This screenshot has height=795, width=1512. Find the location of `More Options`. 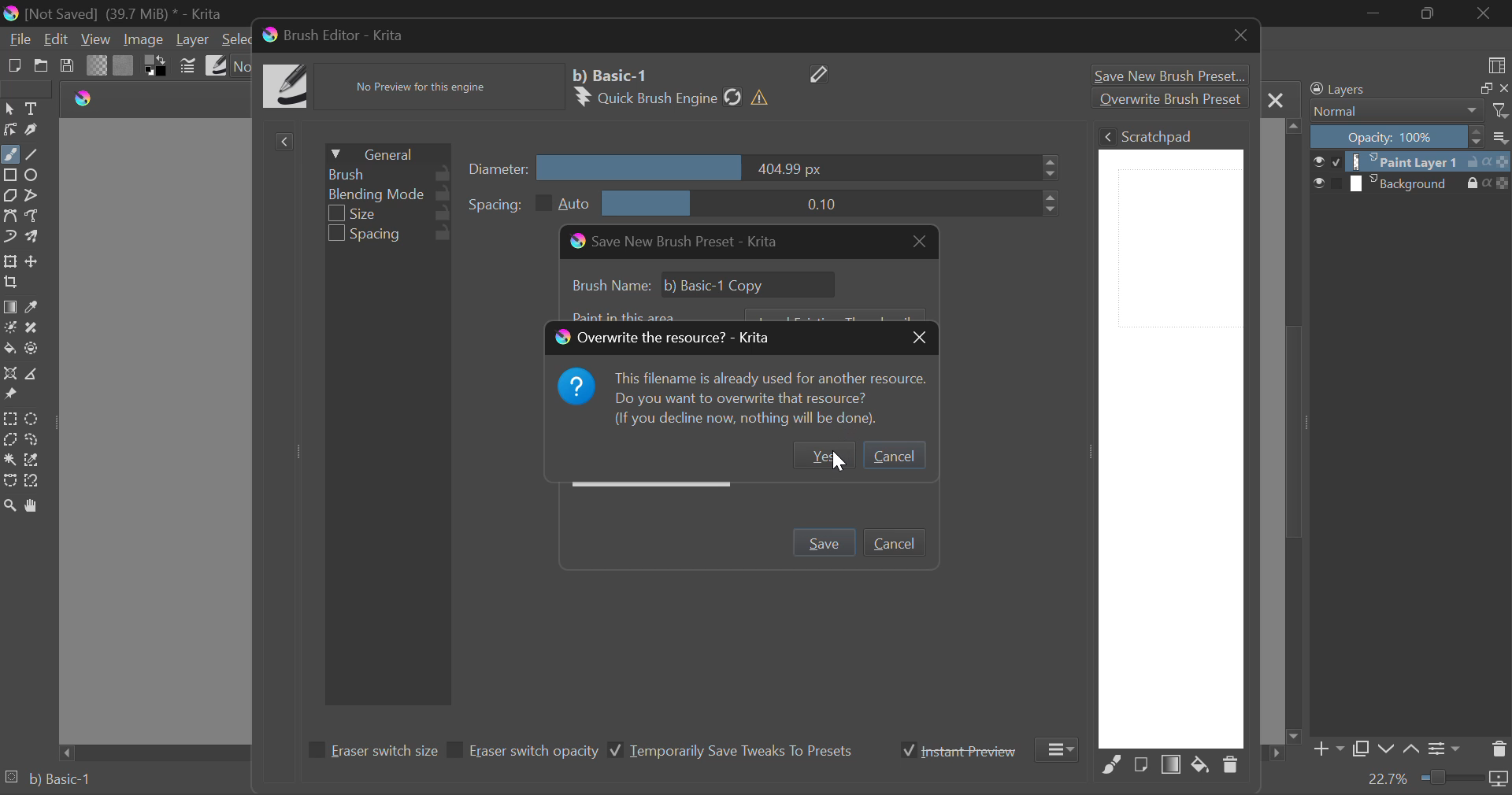

More Options is located at coordinates (1060, 749).